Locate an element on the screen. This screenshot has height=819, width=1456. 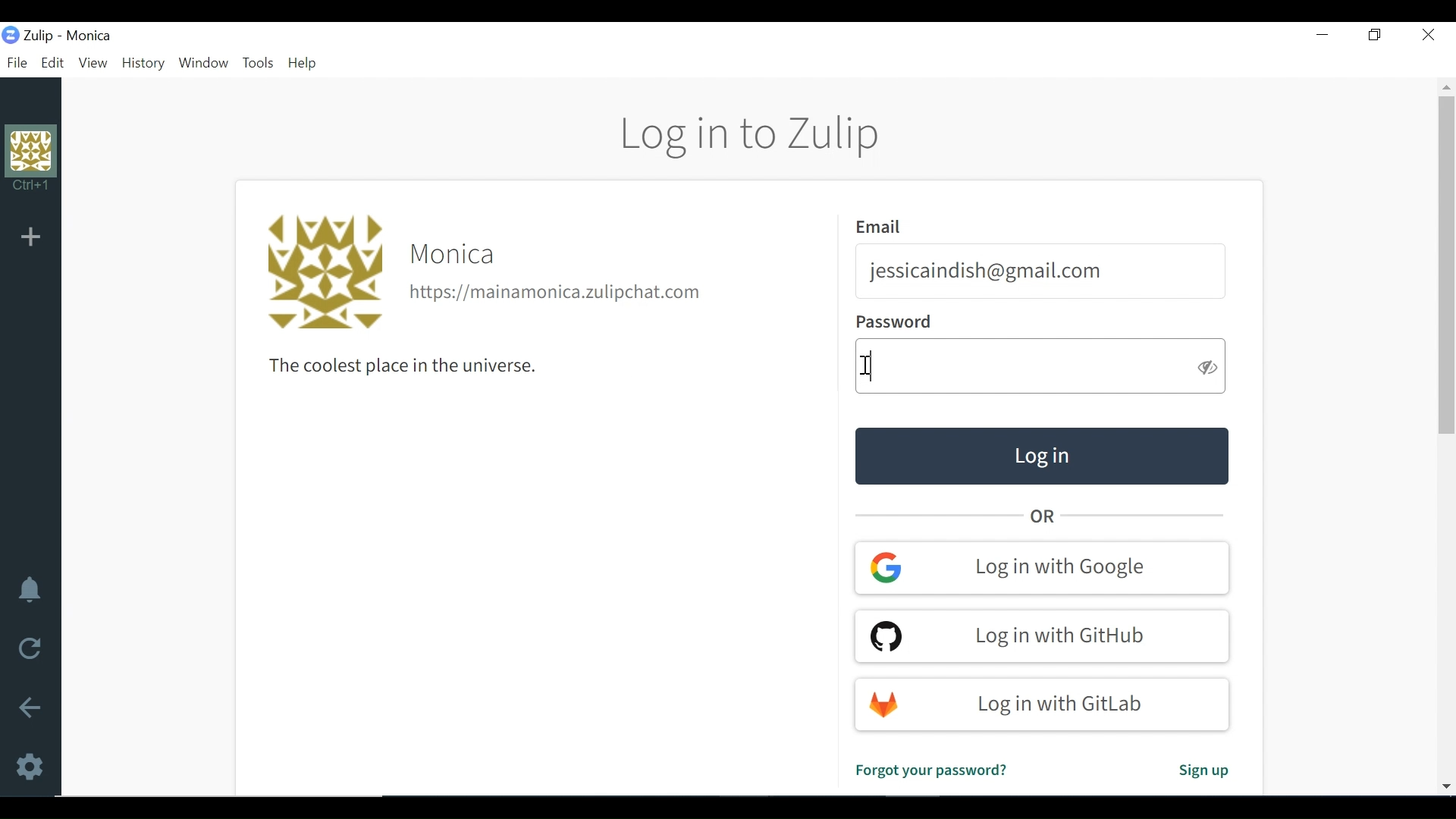
Log in is located at coordinates (1040, 456).